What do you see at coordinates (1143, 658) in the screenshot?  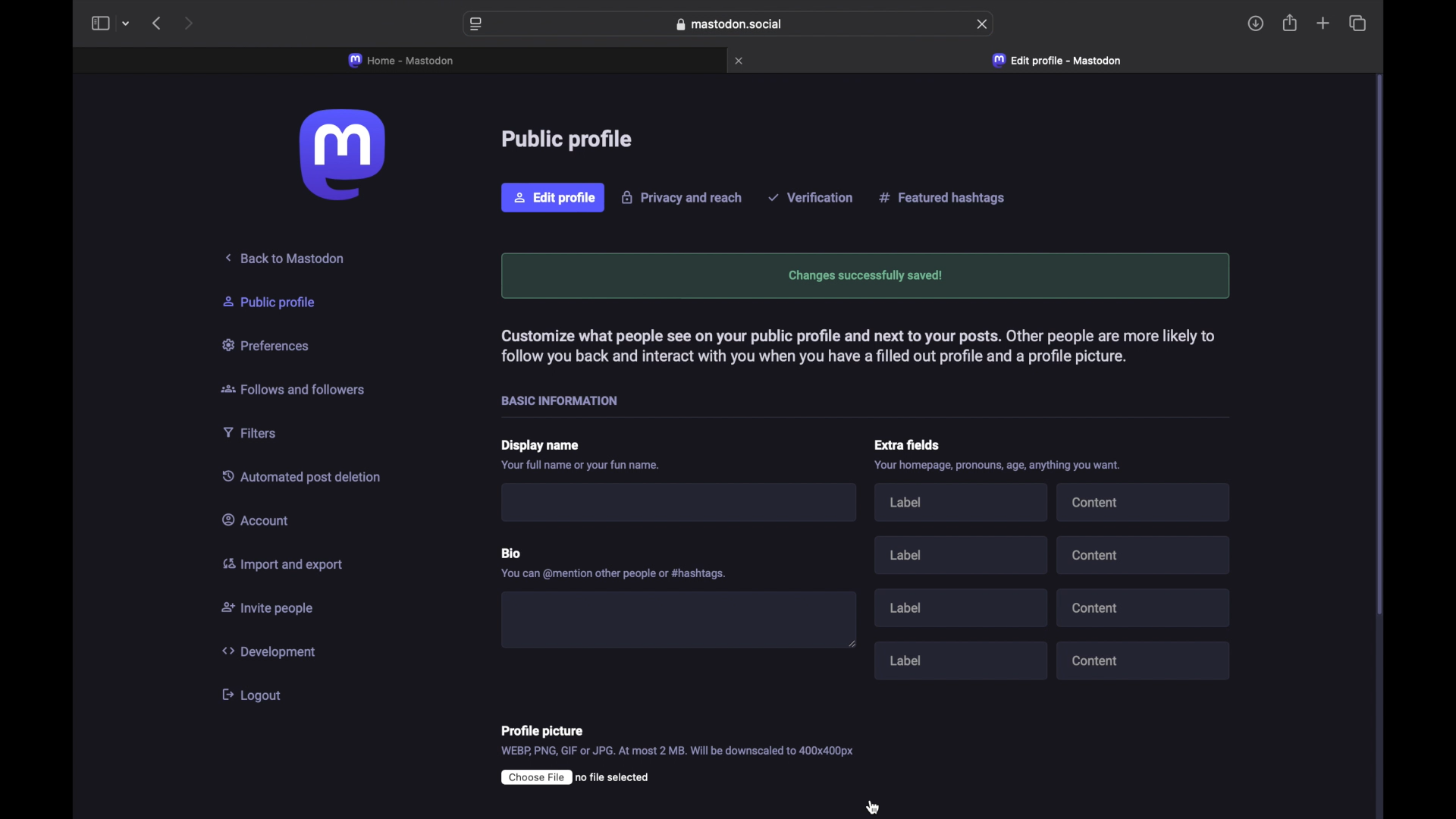 I see `content` at bounding box center [1143, 658].